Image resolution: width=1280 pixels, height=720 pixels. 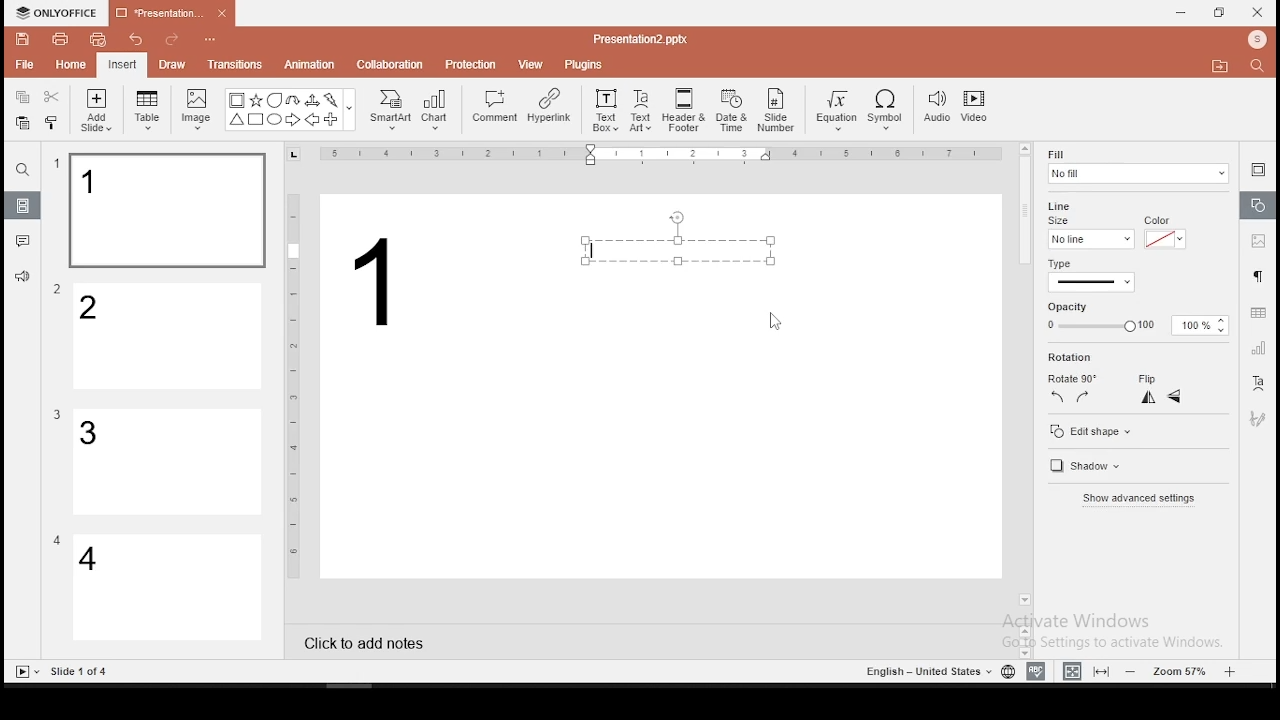 What do you see at coordinates (52, 122) in the screenshot?
I see `clone formatting` at bounding box center [52, 122].